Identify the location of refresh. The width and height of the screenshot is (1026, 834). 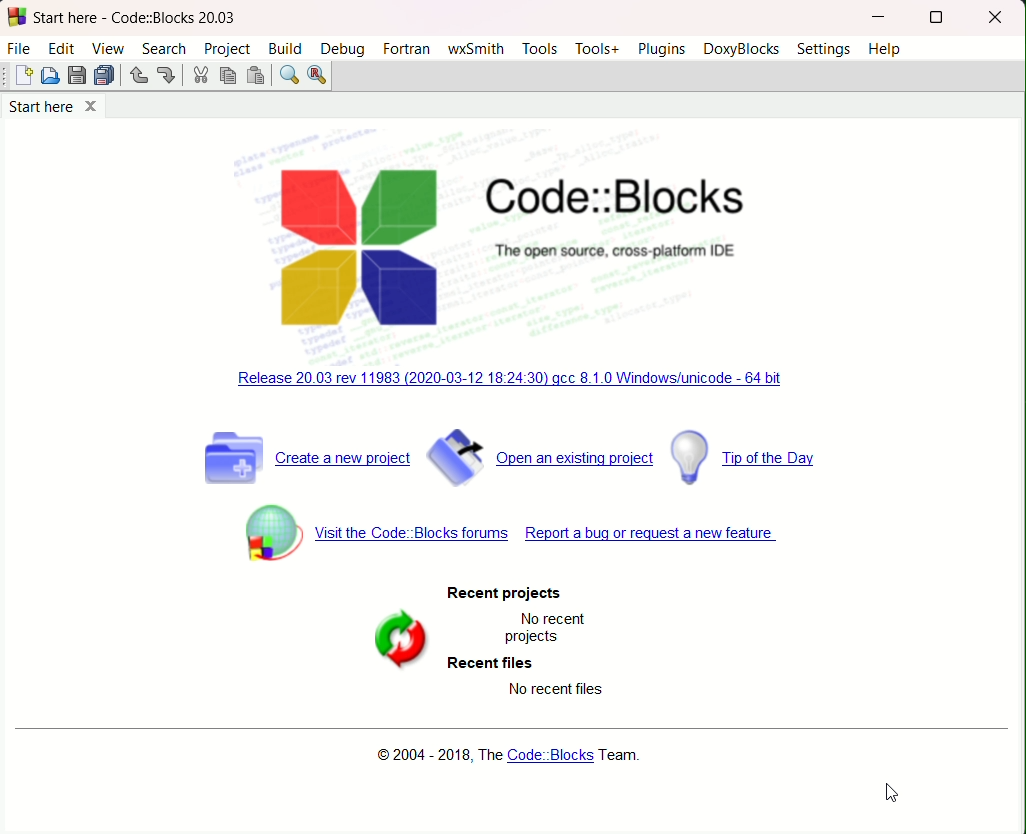
(400, 636).